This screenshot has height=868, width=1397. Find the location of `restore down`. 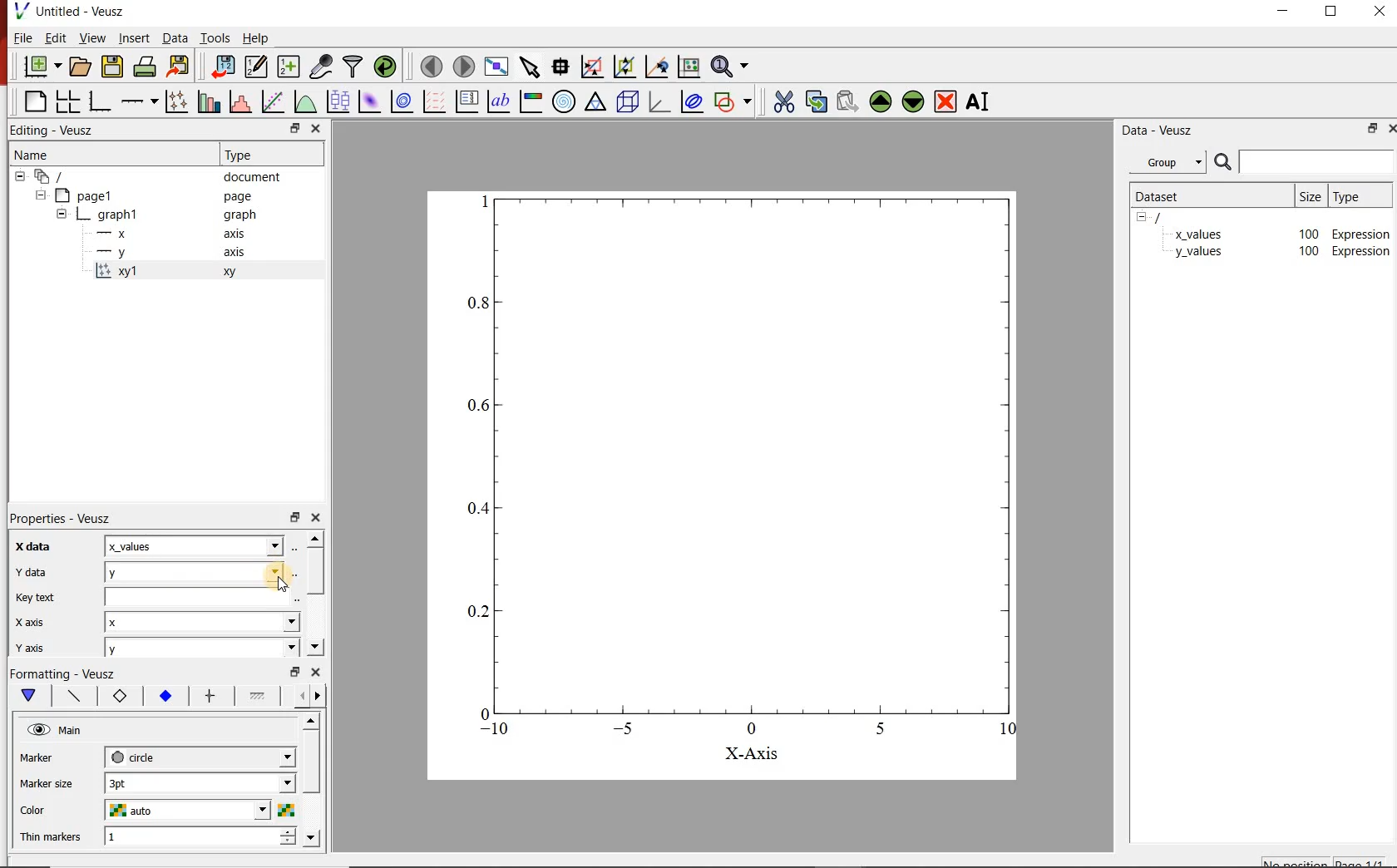

restore down is located at coordinates (1369, 128).